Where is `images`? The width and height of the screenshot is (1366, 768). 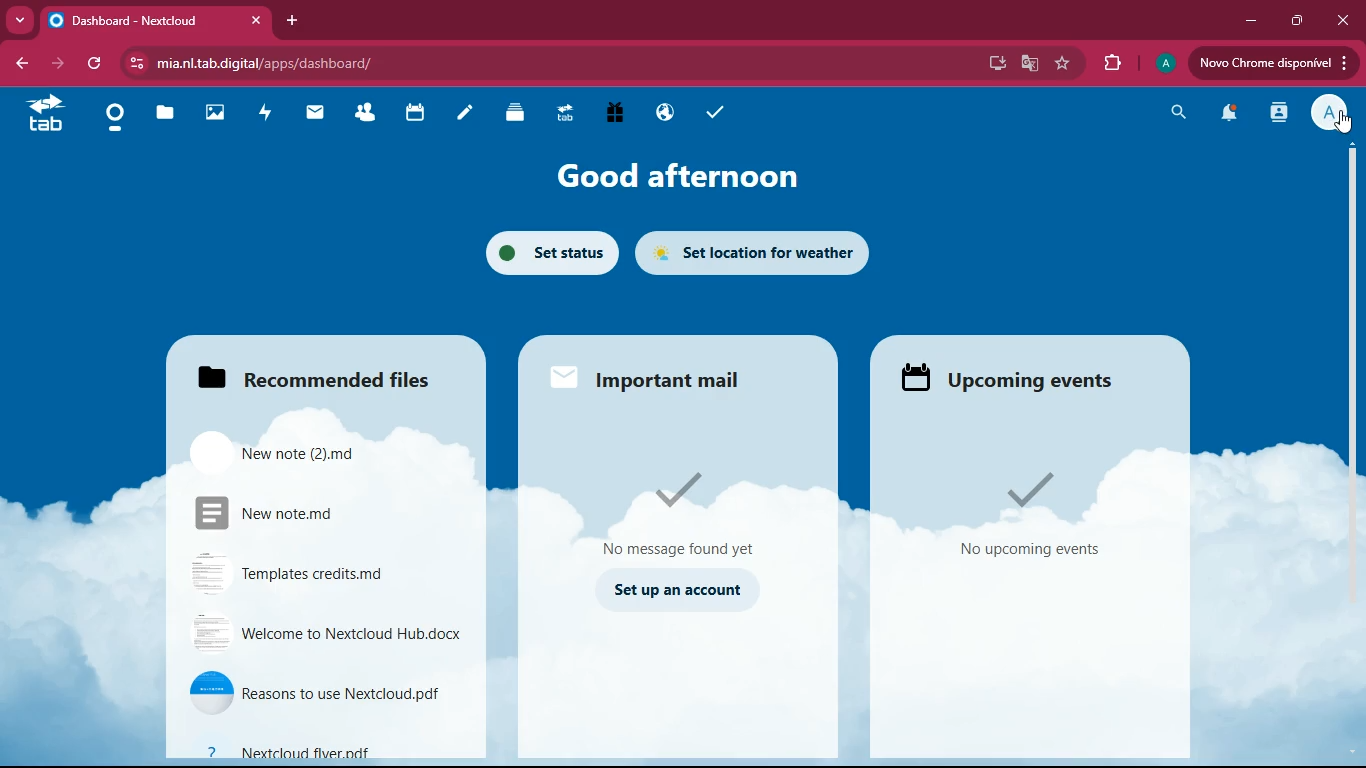 images is located at coordinates (213, 113).